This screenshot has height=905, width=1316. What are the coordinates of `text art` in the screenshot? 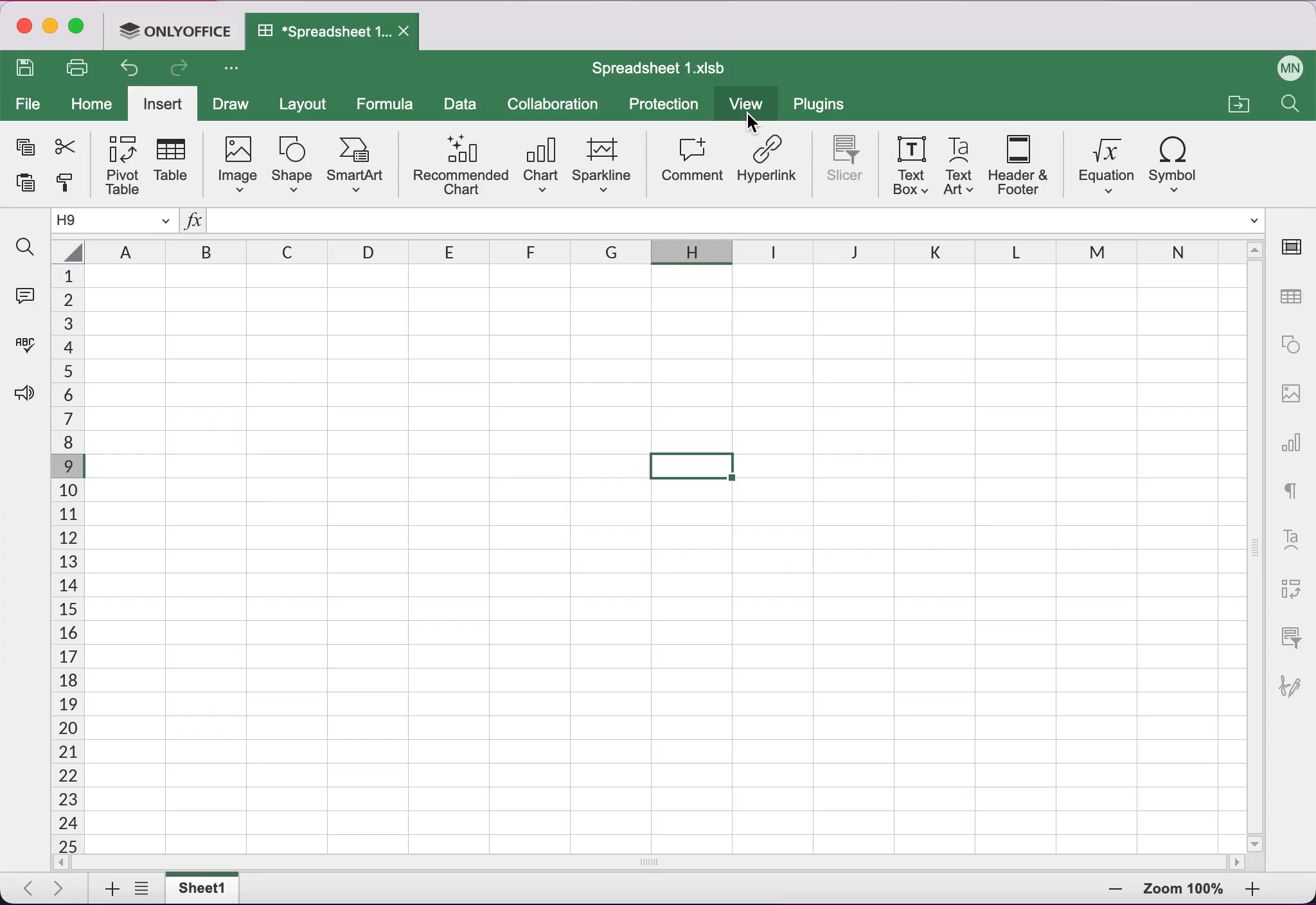 It's located at (1294, 539).